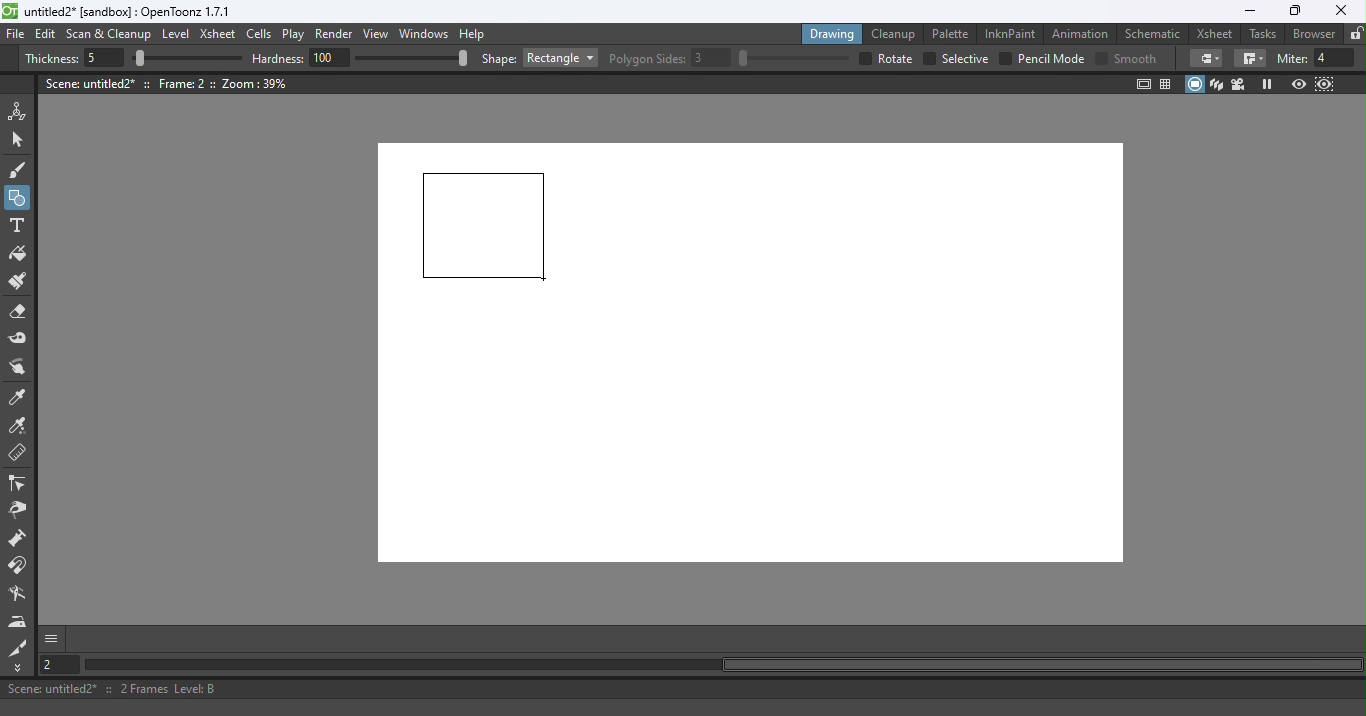 The height and width of the screenshot is (716, 1366). I want to click on Level, so click(176, 35).